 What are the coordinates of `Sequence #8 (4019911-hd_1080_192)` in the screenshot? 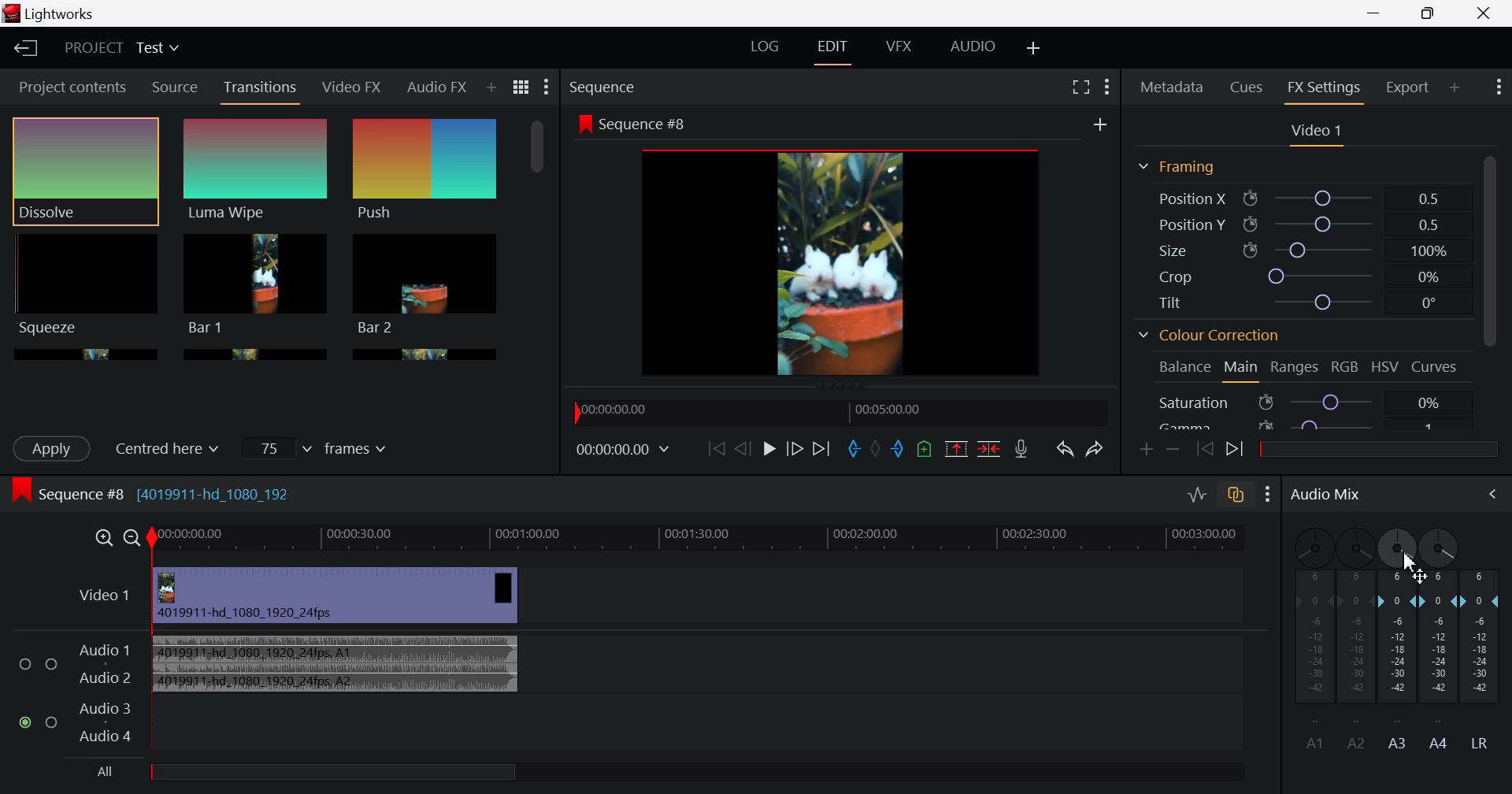 It's located at (156, 493).